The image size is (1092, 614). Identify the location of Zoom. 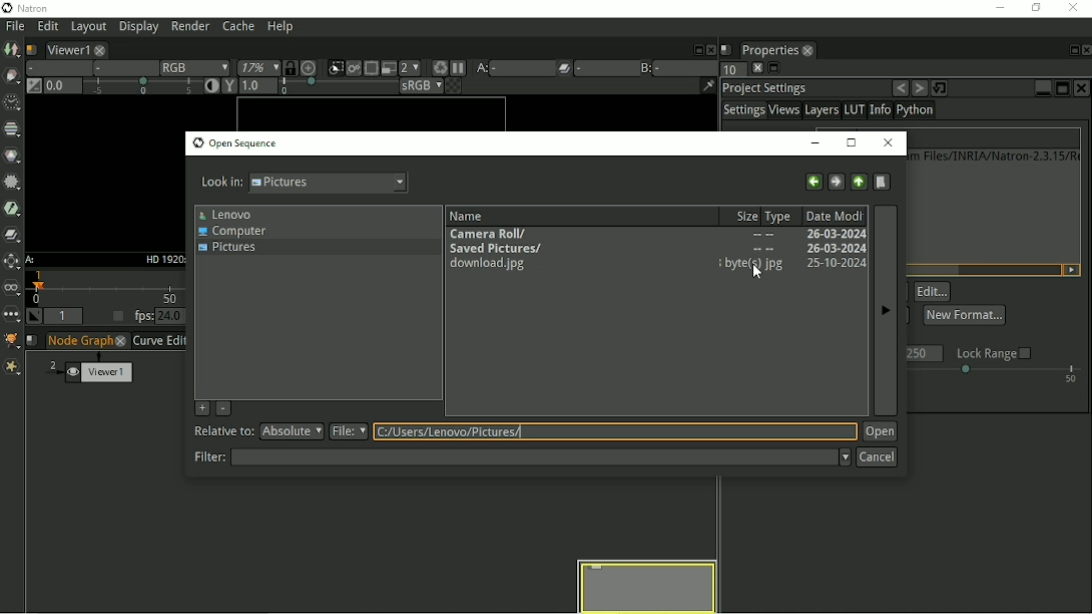
(255, 68).